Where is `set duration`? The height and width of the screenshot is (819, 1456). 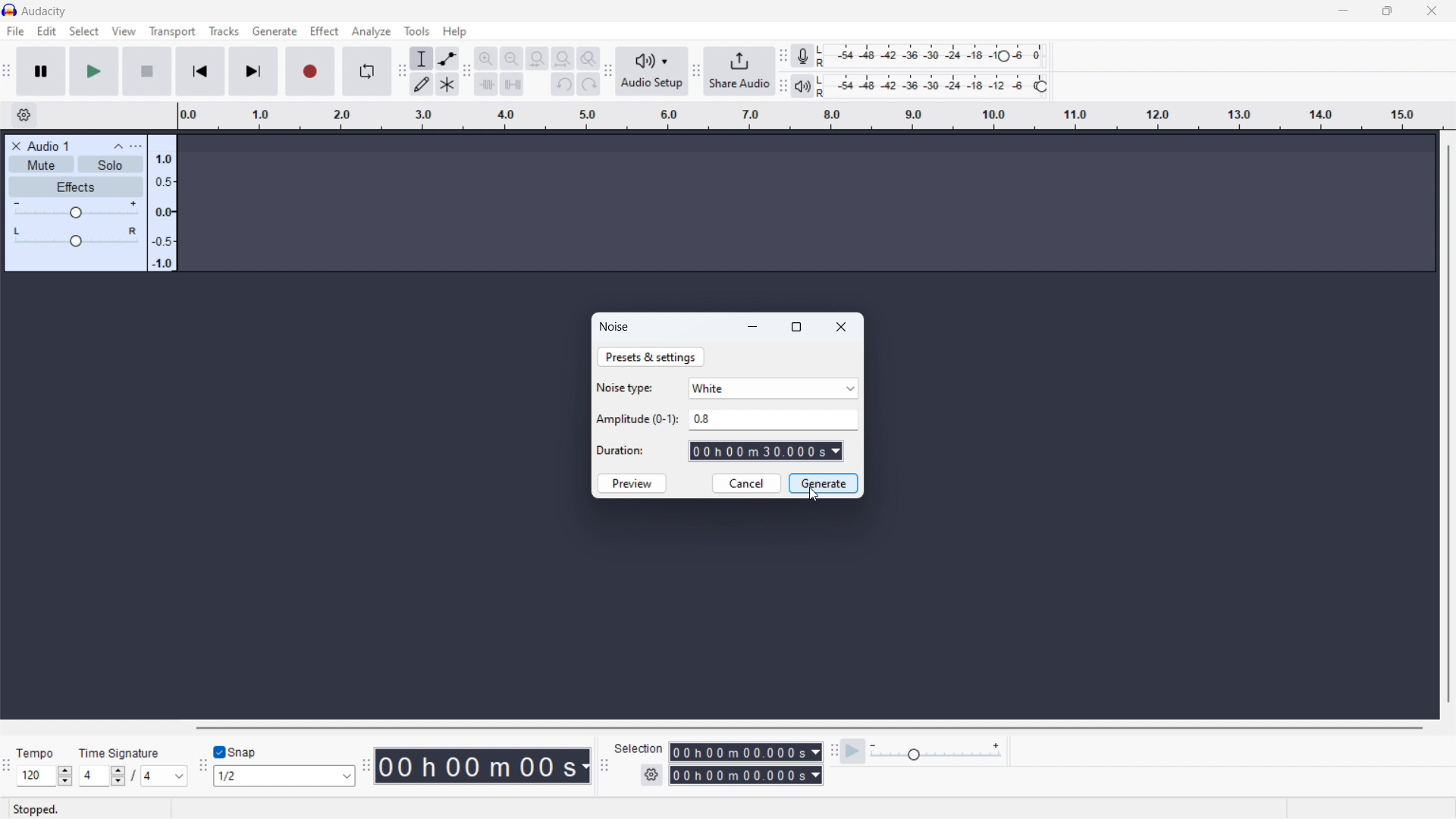 set duration is located at coordinates (766, 450).